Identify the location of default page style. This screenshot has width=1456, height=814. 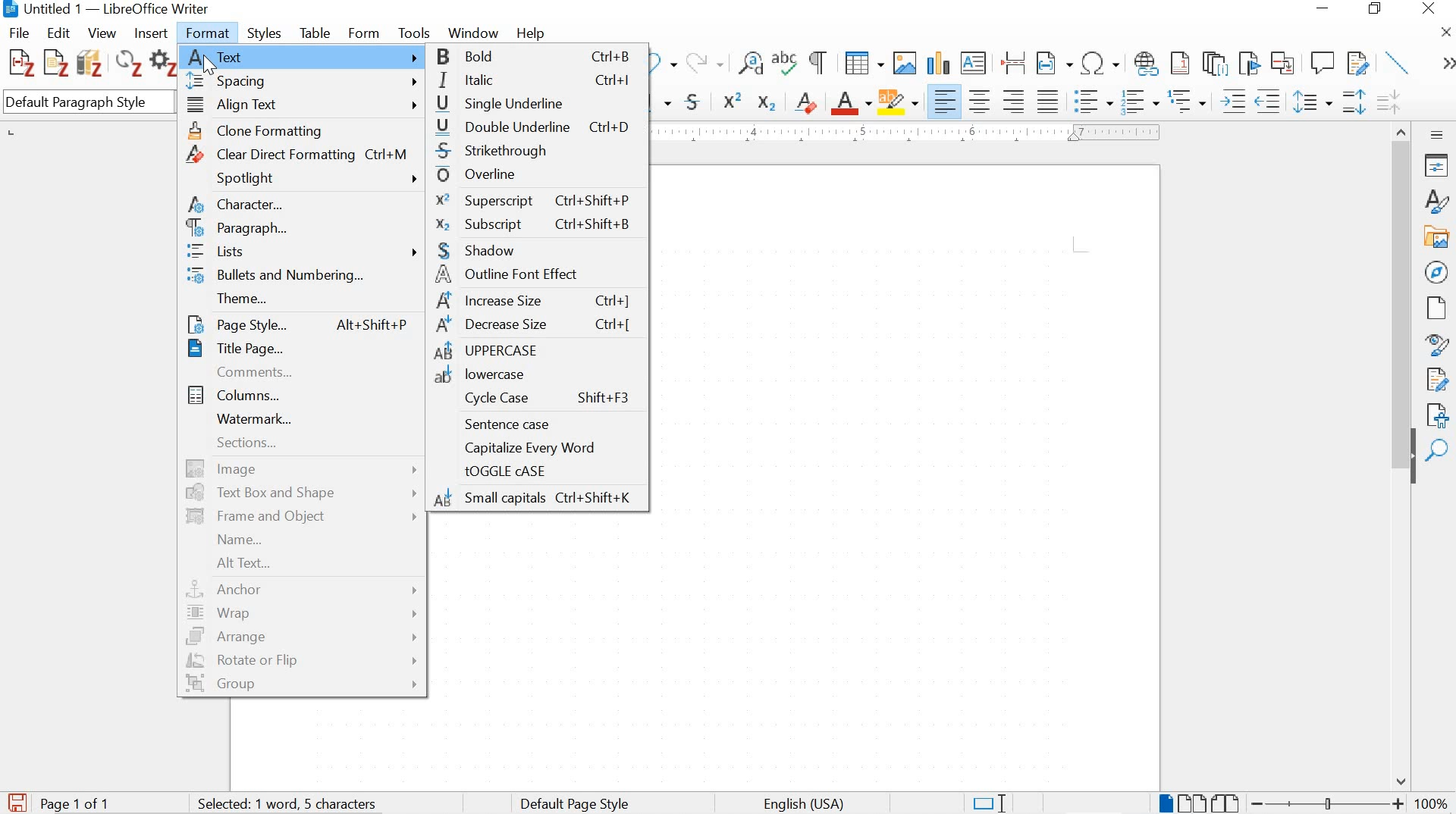
(578, 803).